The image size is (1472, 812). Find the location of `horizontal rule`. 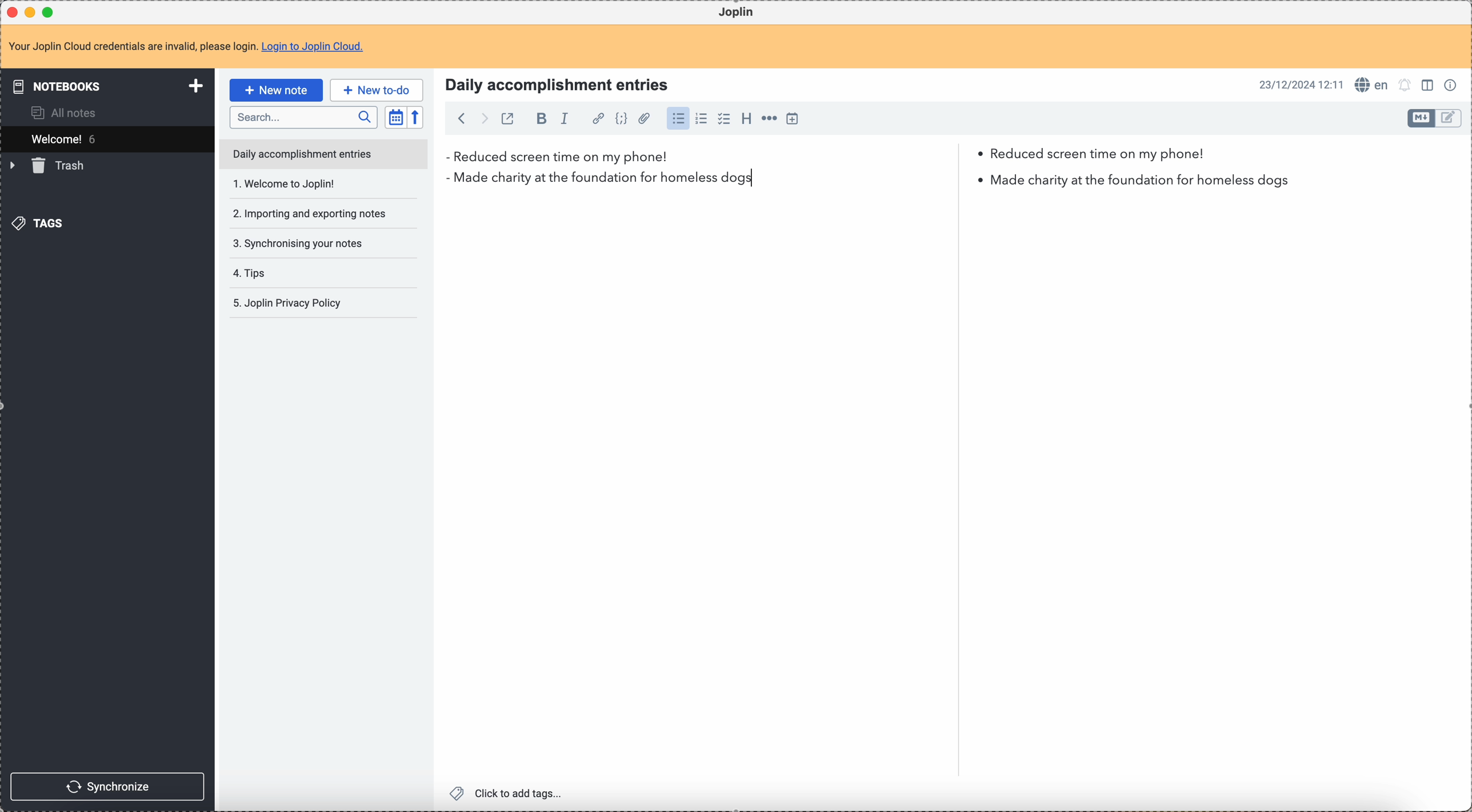

horizontal rule is located at coordinates (769, 120).